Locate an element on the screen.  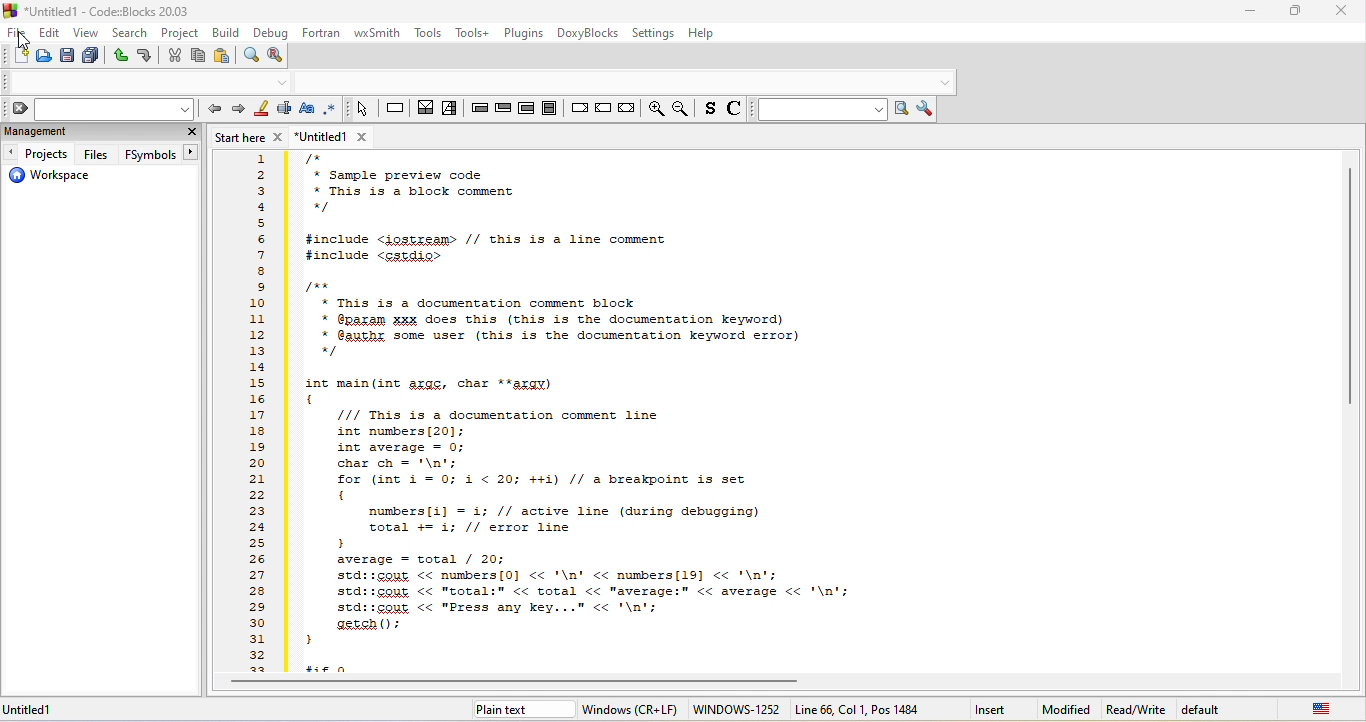
wxsmith is located at coordinates (378, 34).